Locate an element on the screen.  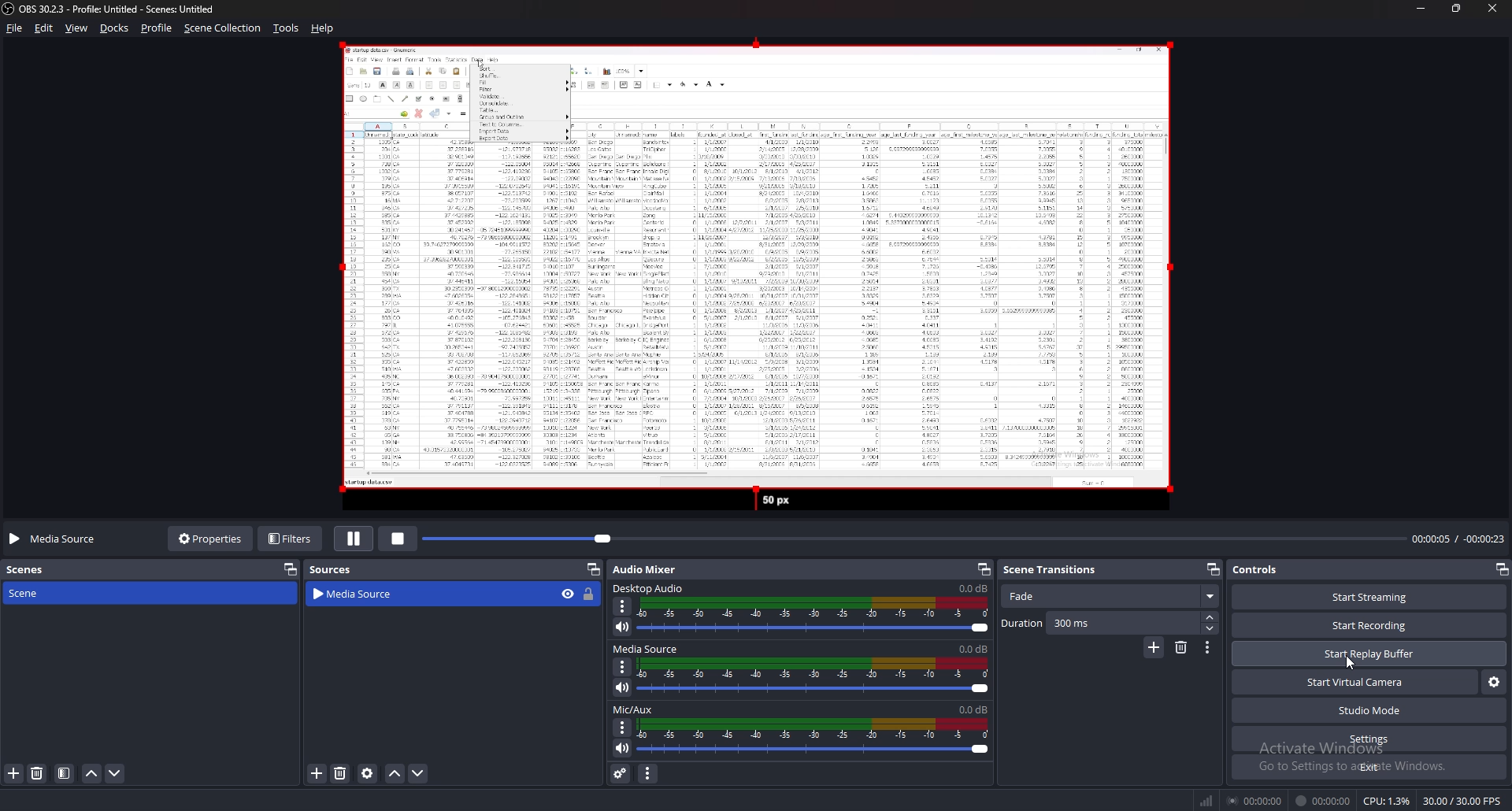
lock is located at coordinates (590, 595).